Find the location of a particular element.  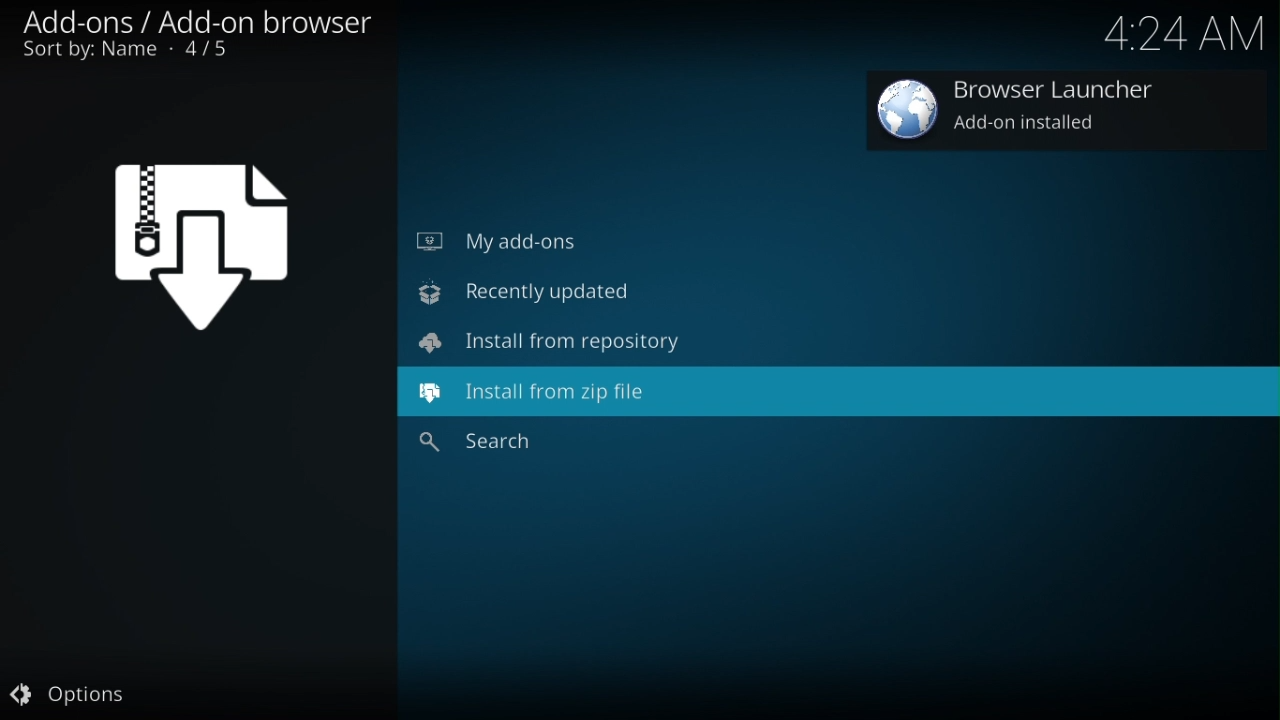

time is located at coordinates (1183, 35).